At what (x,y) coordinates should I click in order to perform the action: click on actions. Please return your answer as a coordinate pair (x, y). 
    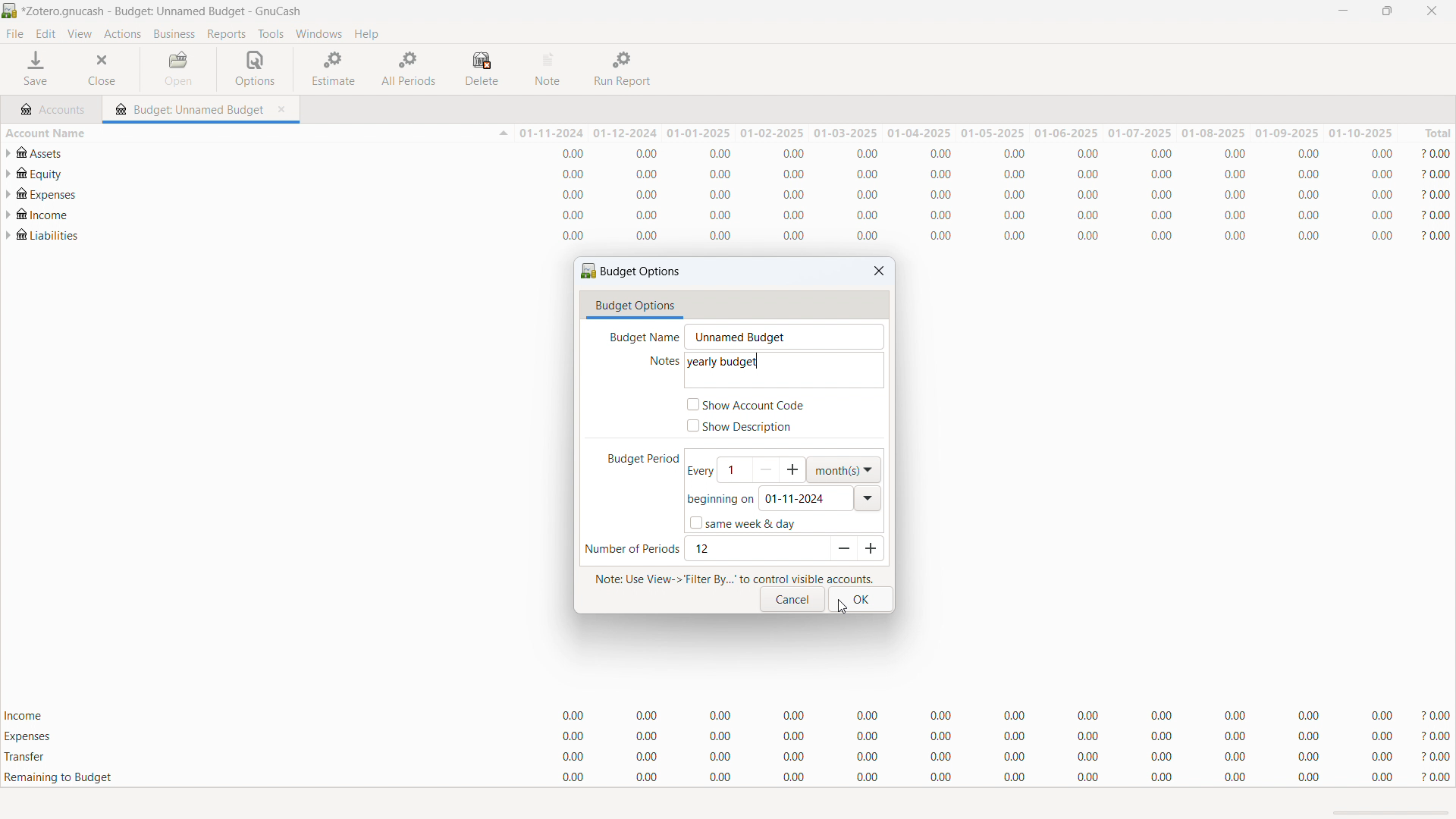
    Looking at the image, I should click on (122, 34).